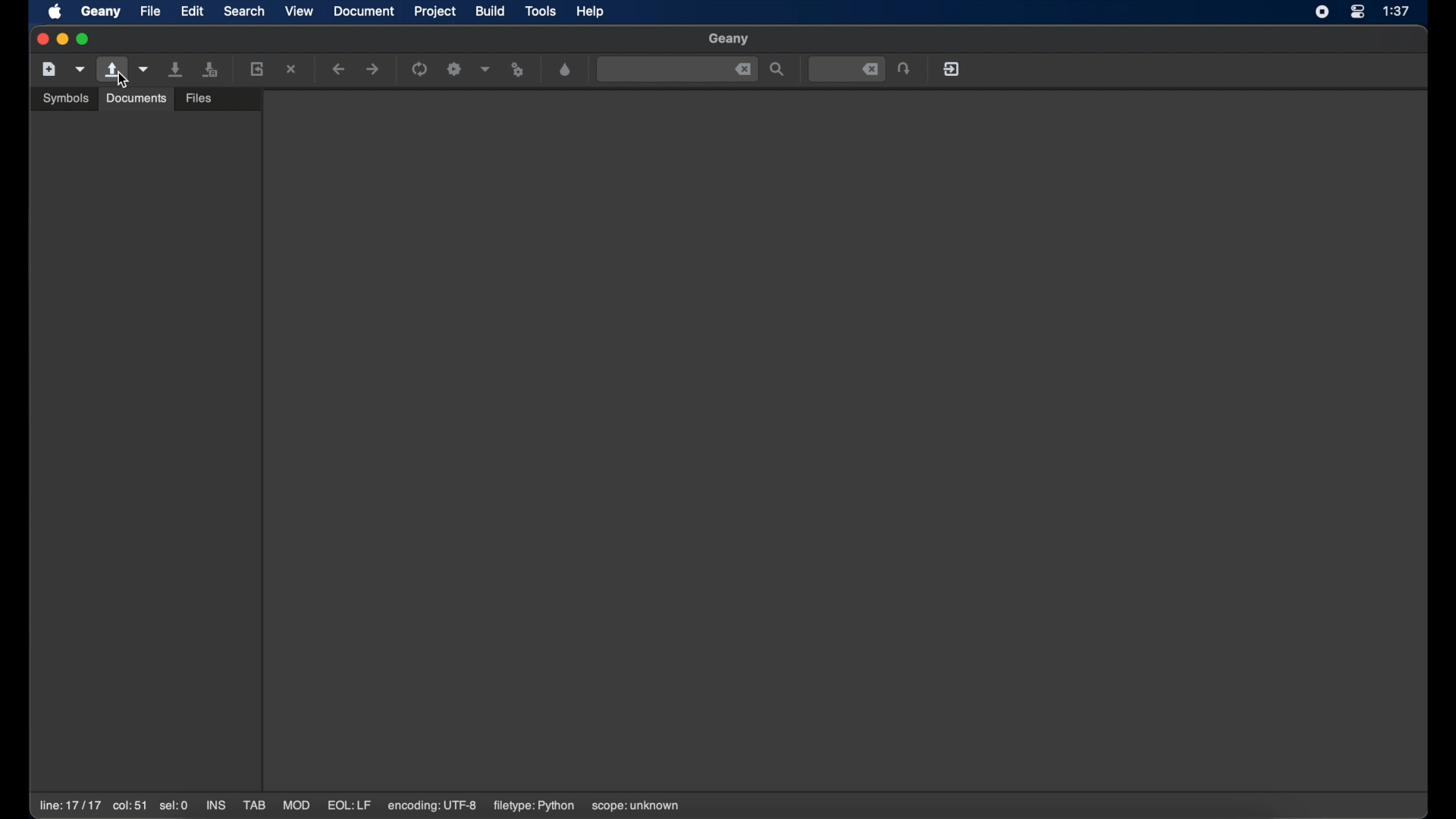 The height and width of the screenshot is (819, 1456). What do you see at coordinates (62, 39) in the screenshot?
I see `minimize` at bounding box center [62, 39].